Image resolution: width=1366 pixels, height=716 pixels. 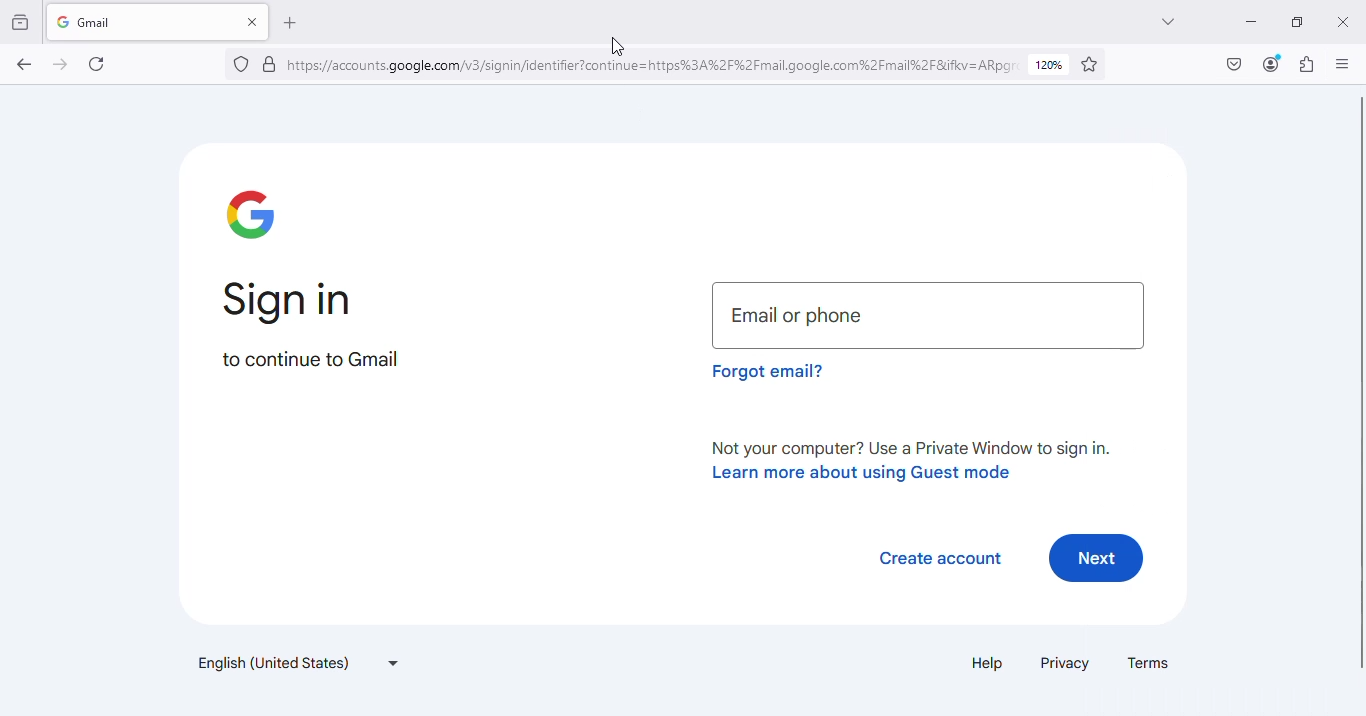 What do you see at coordinates (941, 558) in the screenshot?
I see `create account` at bounding box center [941, 558].